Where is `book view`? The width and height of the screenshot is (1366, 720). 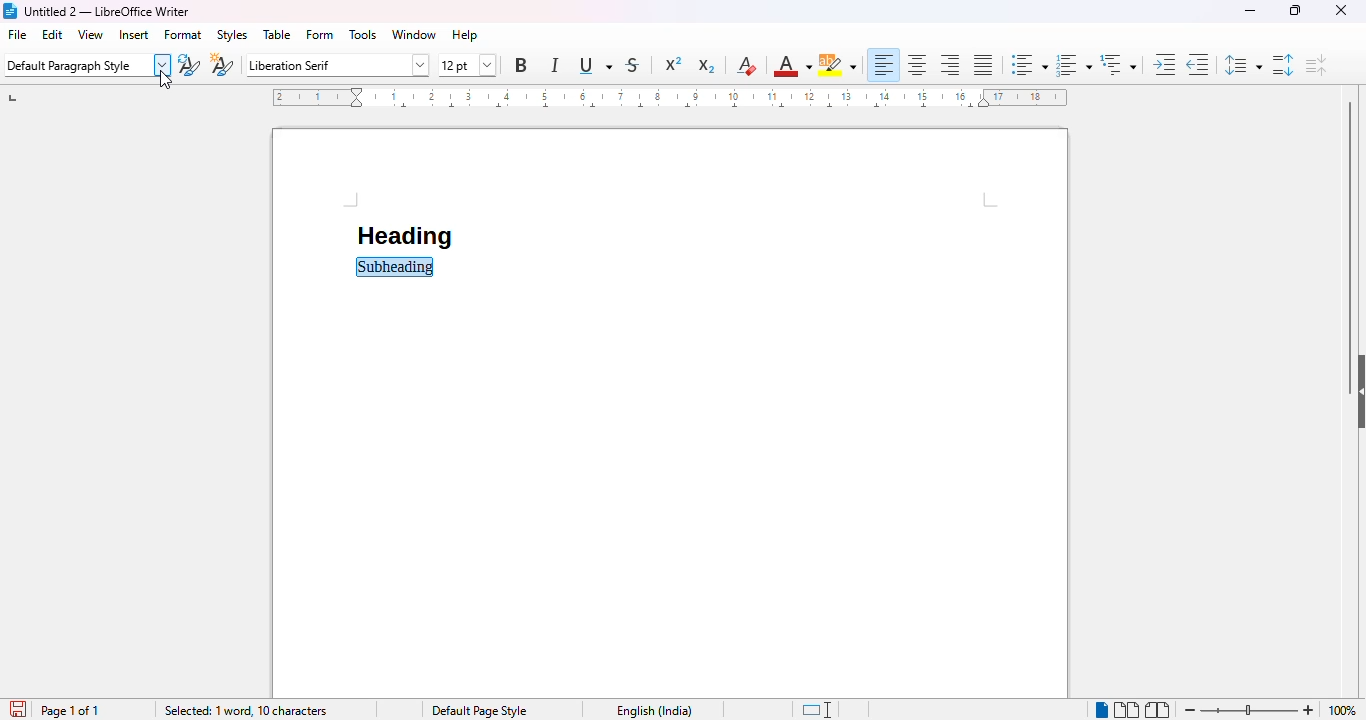 book view is located at coordinates (1158, 708).